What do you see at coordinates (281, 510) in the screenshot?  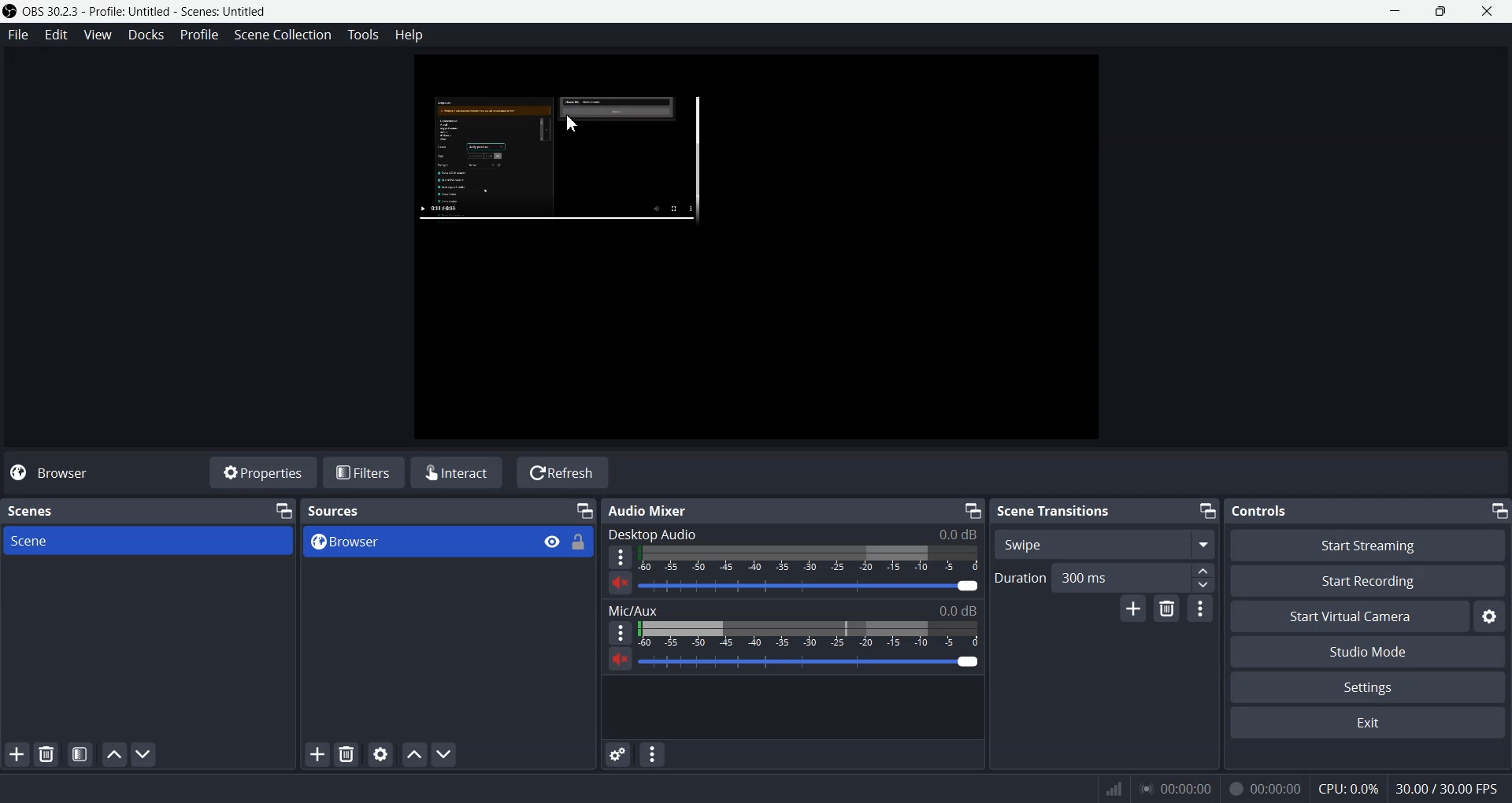 I see `Minimize` at bounding box center [281, 510].